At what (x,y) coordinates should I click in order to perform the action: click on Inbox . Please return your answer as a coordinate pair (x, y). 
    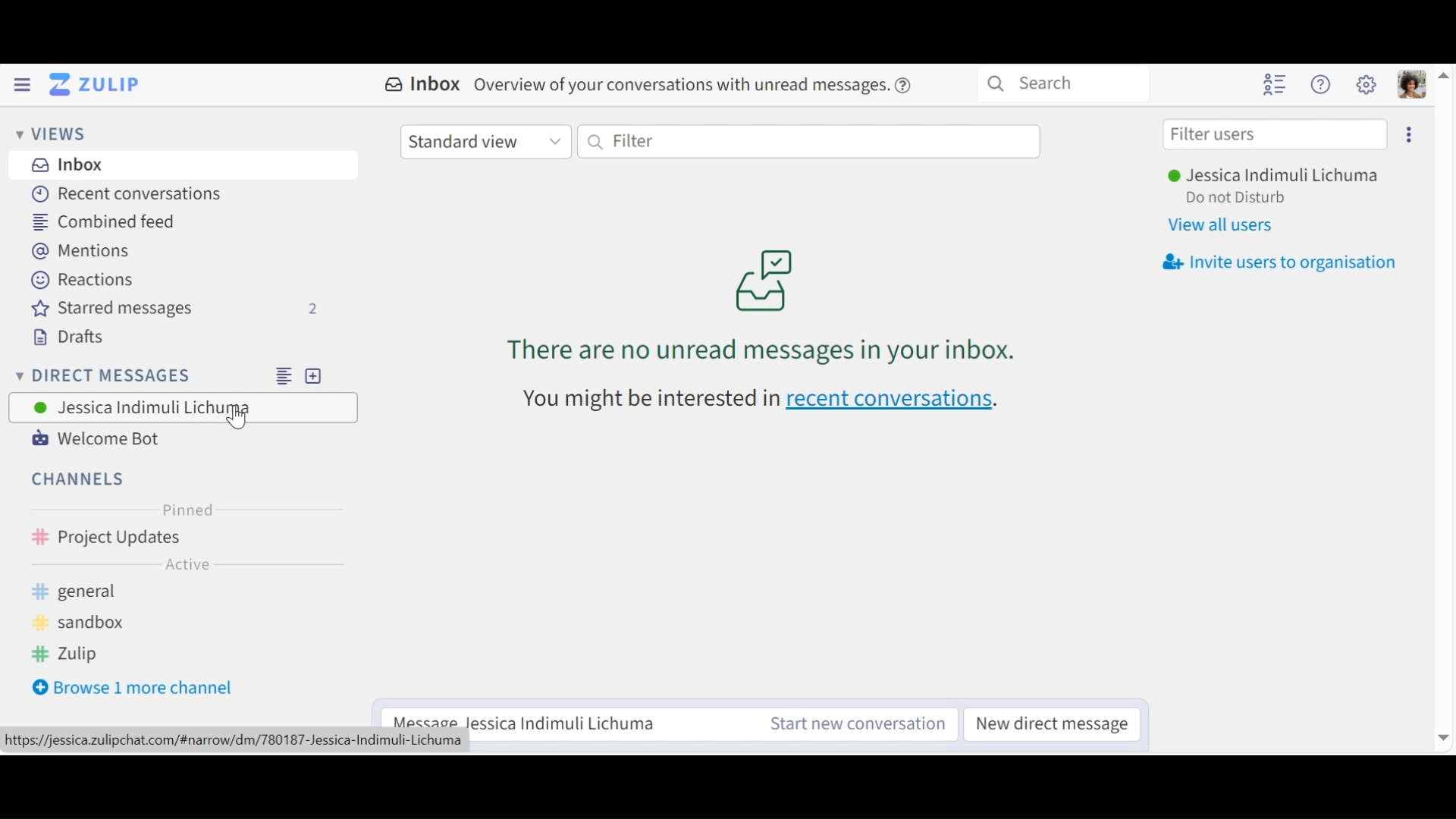
    Looking at the image, I should click on (654, 86).